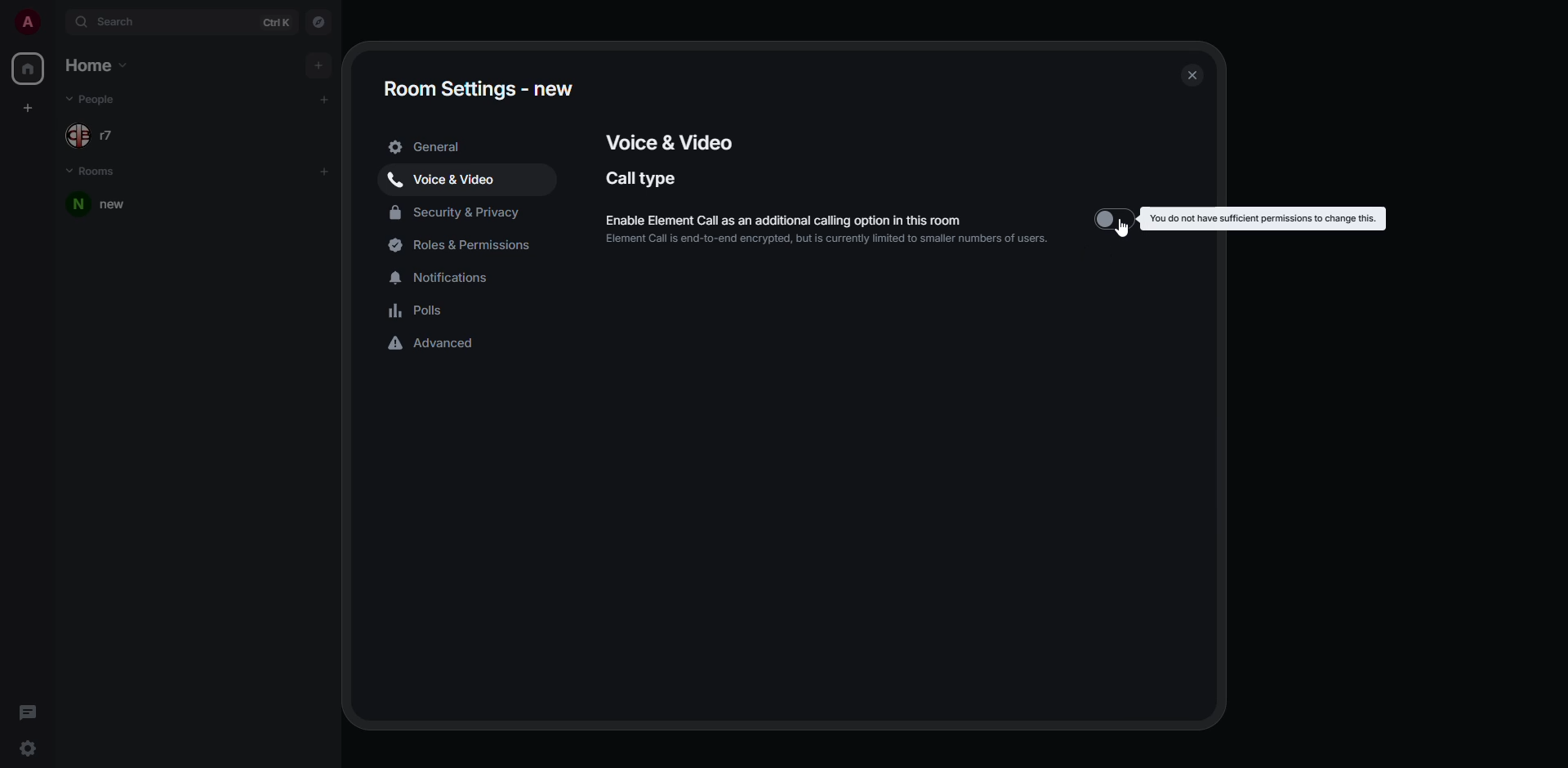  What do you see at coordinates (478, 88) in the screenshot?
I see `room settings - new ` at bounding box center [478, 88].